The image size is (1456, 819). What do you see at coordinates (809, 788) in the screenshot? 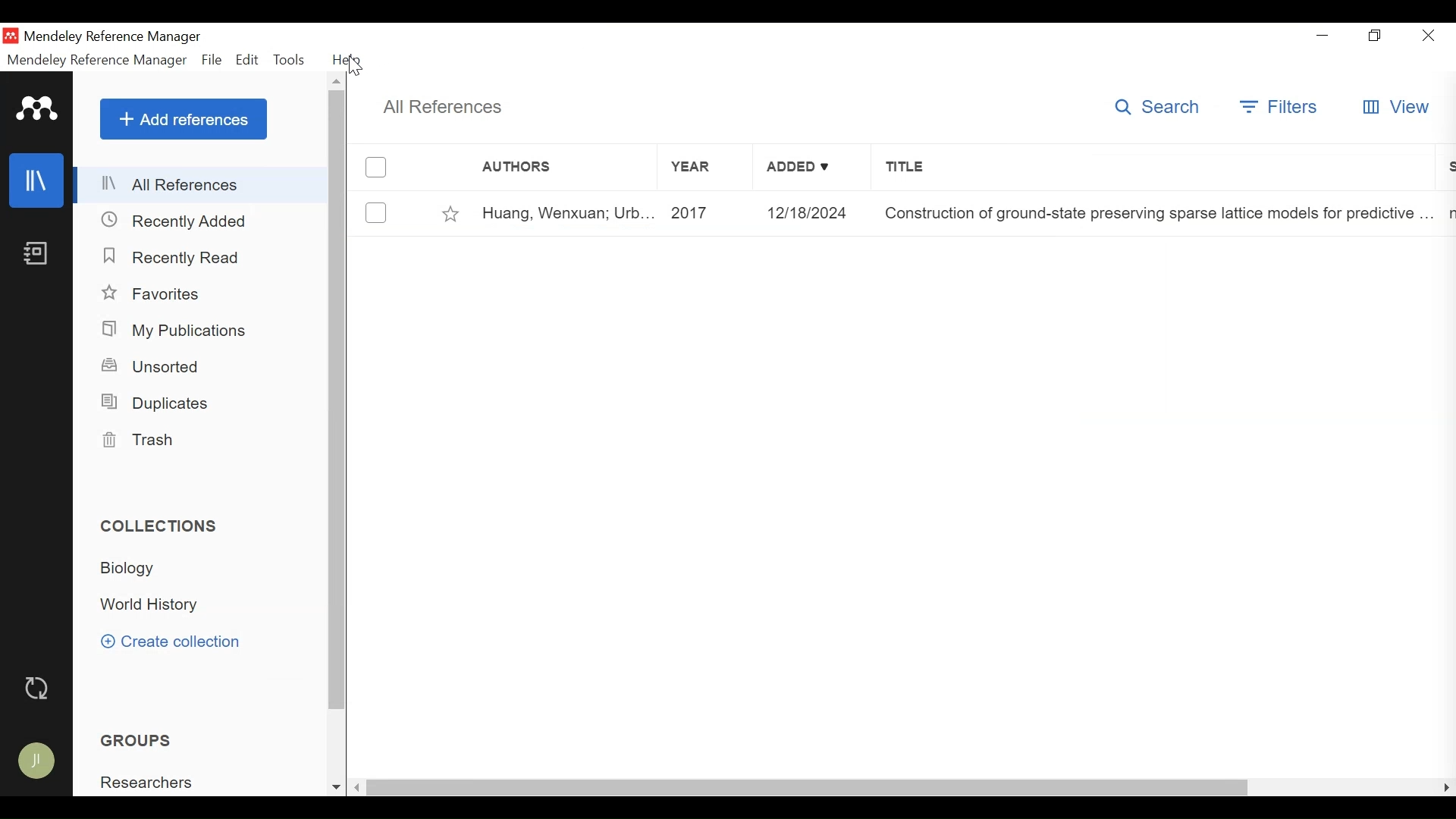
I see `Vertical Scroll bar` at bounding box center [809, 788].